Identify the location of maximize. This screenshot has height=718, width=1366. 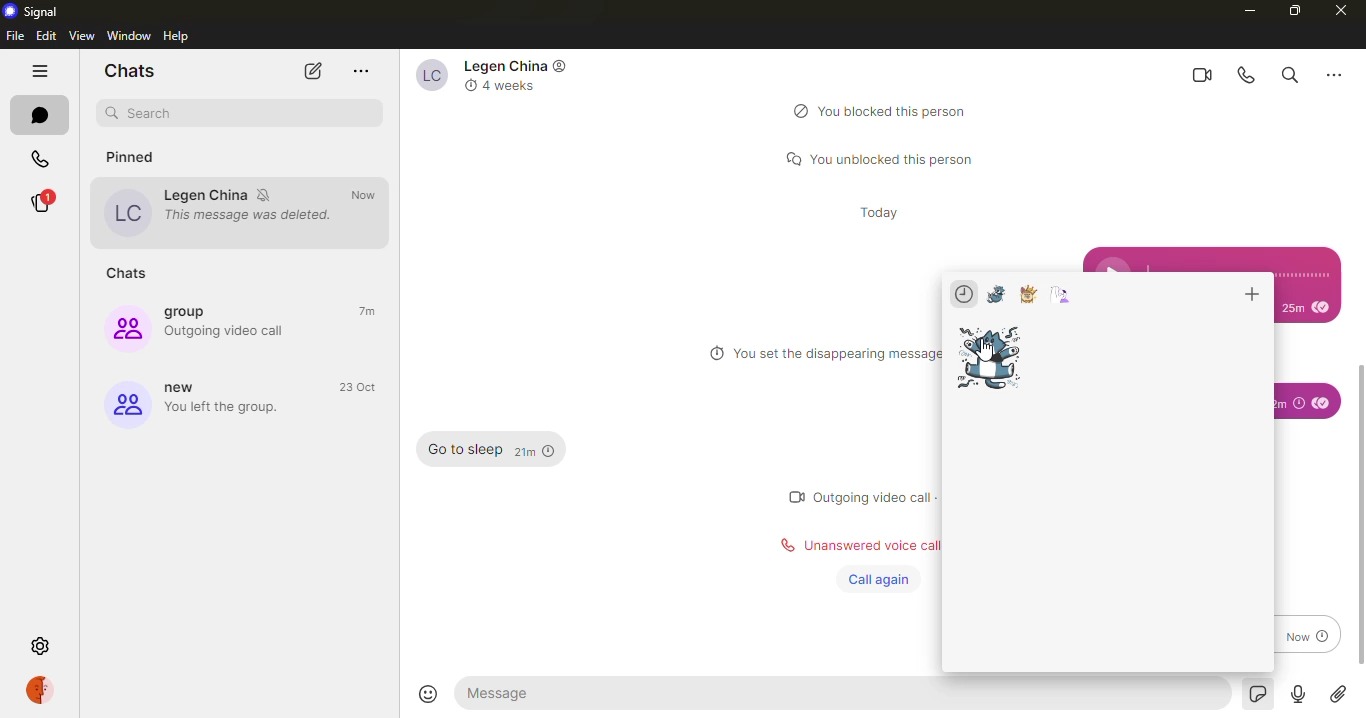
(1291, 12).